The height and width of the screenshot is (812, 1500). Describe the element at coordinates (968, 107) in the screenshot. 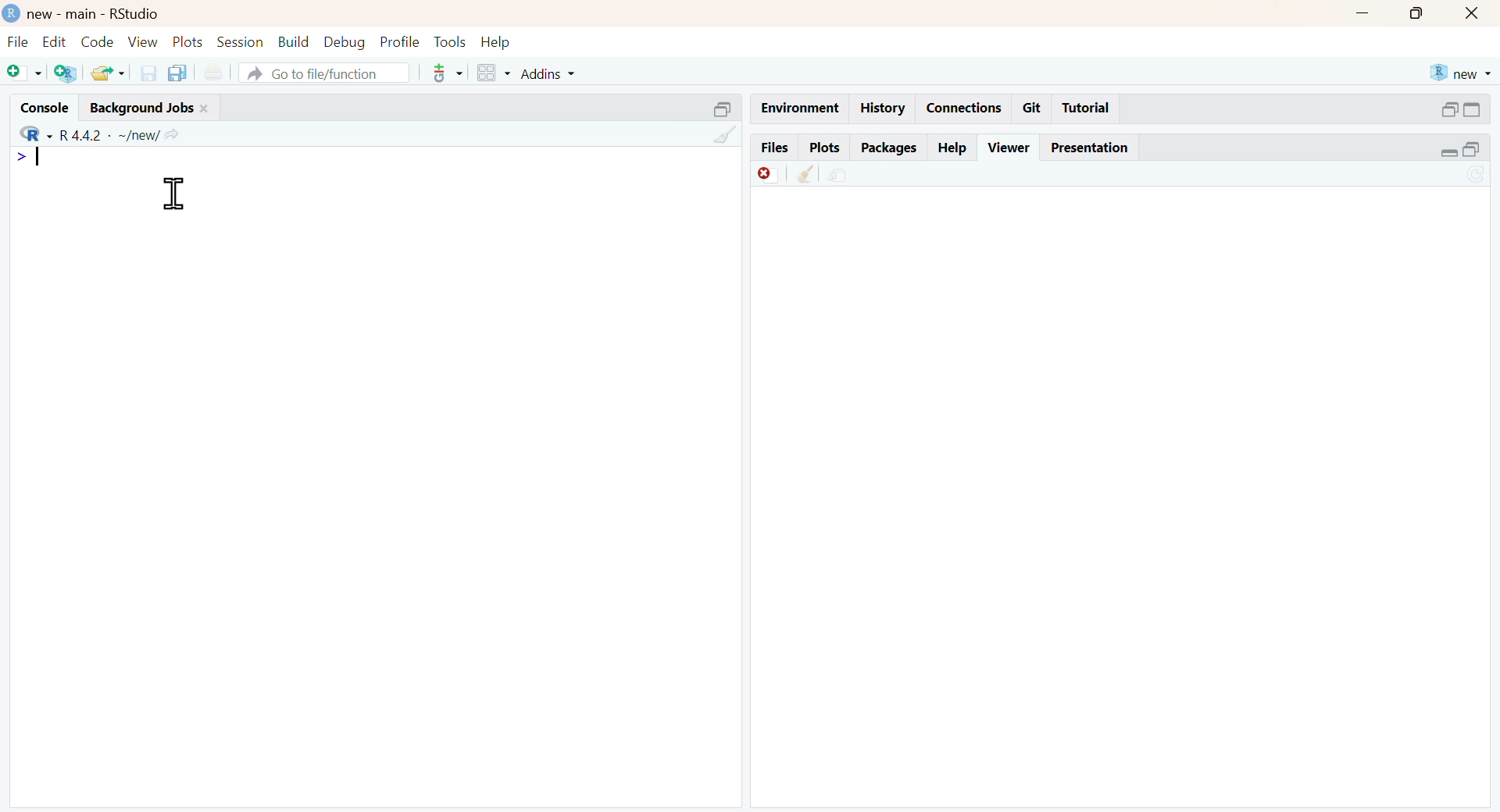

I see `connections` at that location.